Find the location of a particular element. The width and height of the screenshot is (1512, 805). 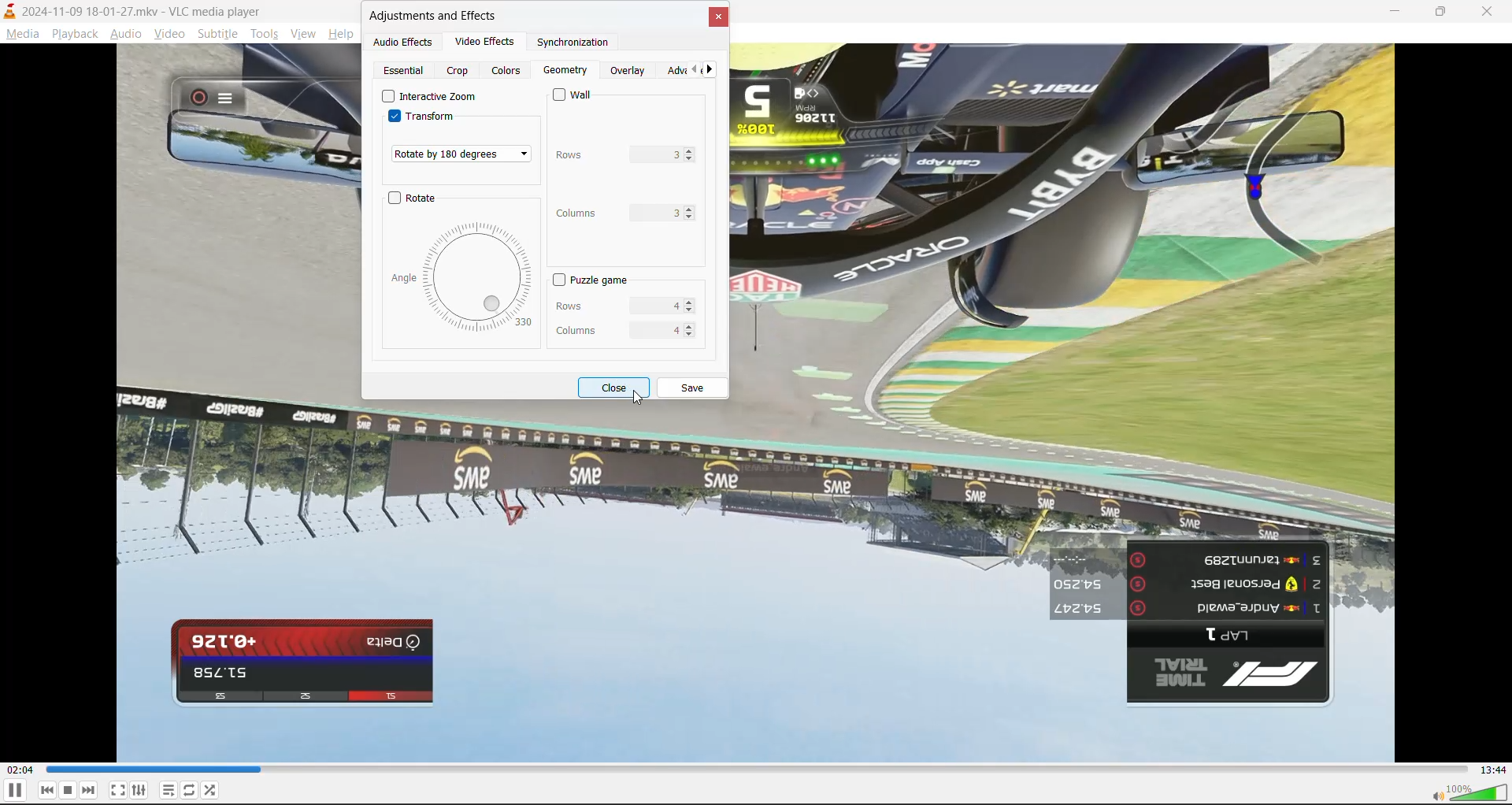

total track time is located at coordinates (1493, 769).